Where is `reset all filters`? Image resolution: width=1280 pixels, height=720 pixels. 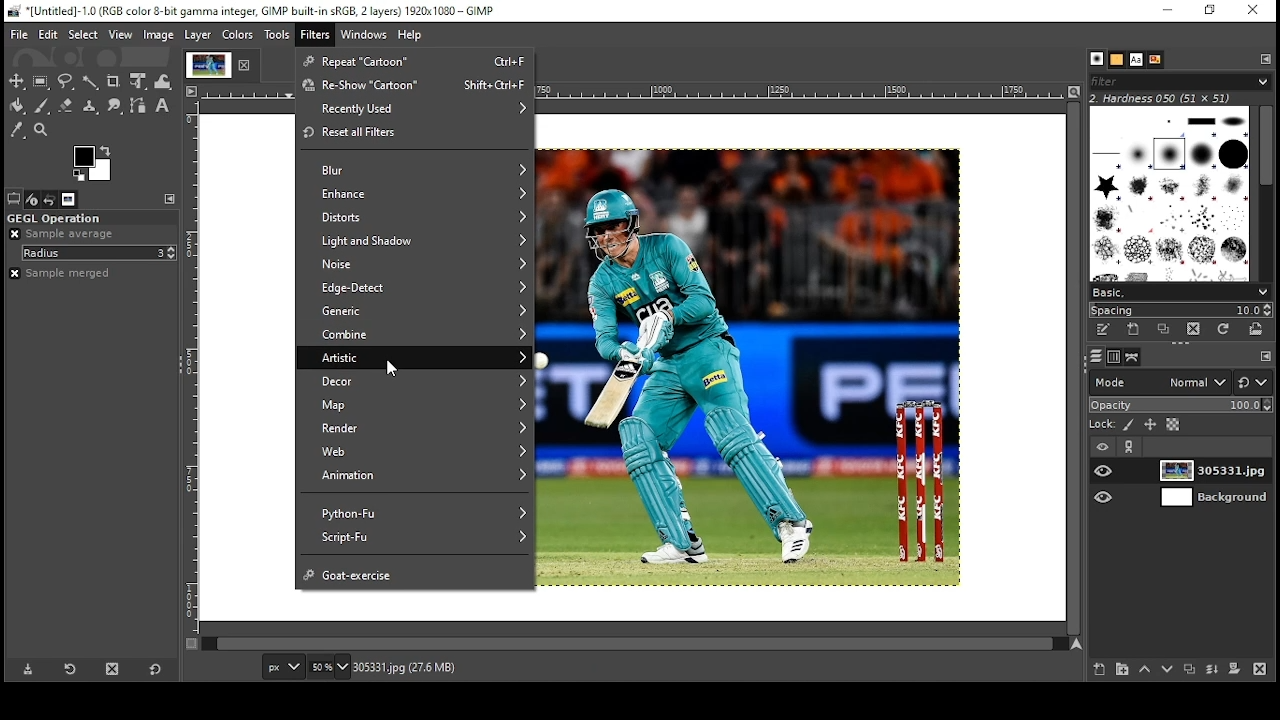
reset all filters is located at coordinates (416, 134).